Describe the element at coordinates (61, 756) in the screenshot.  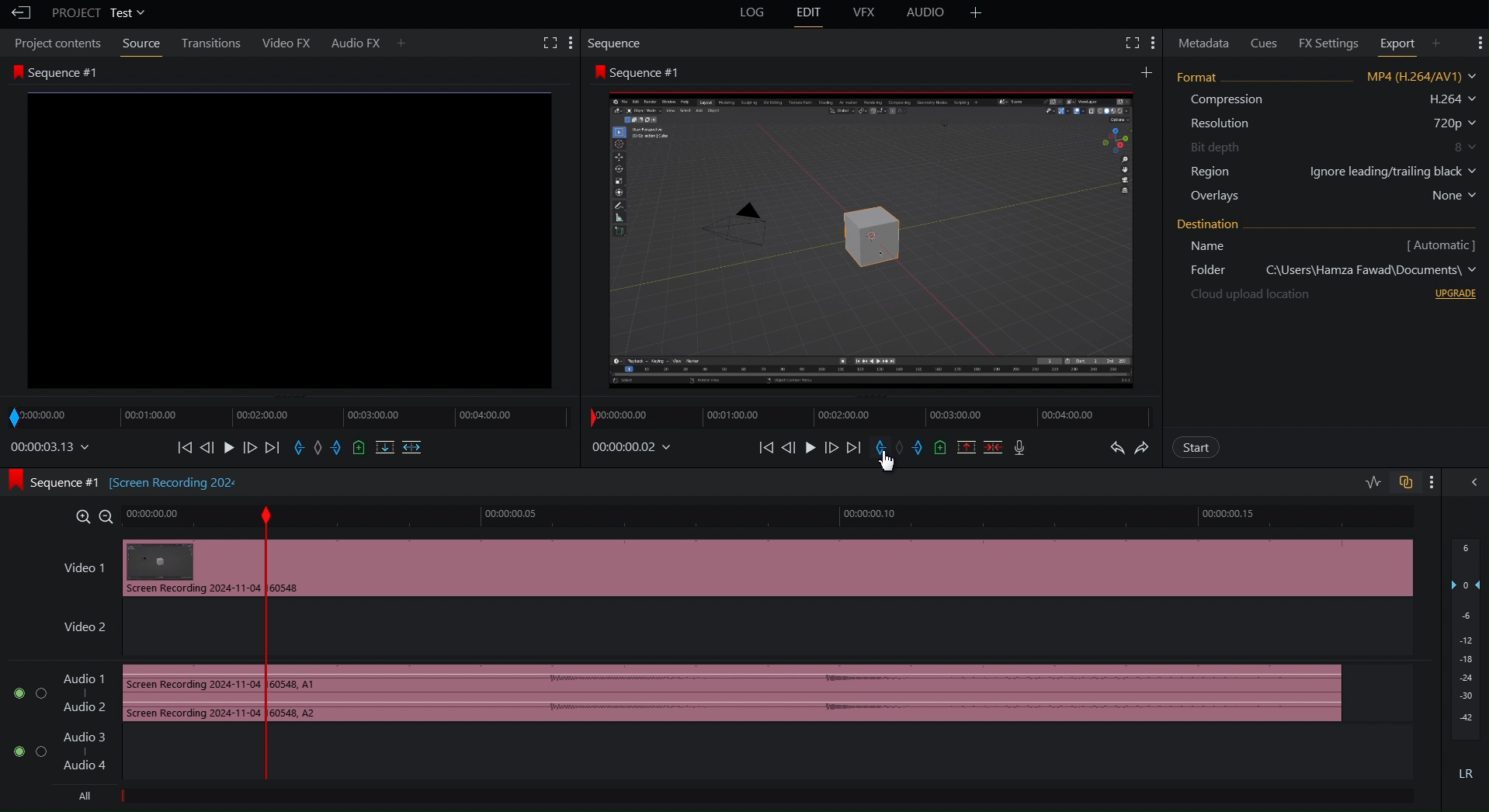
I see `Audio 2` at that location.